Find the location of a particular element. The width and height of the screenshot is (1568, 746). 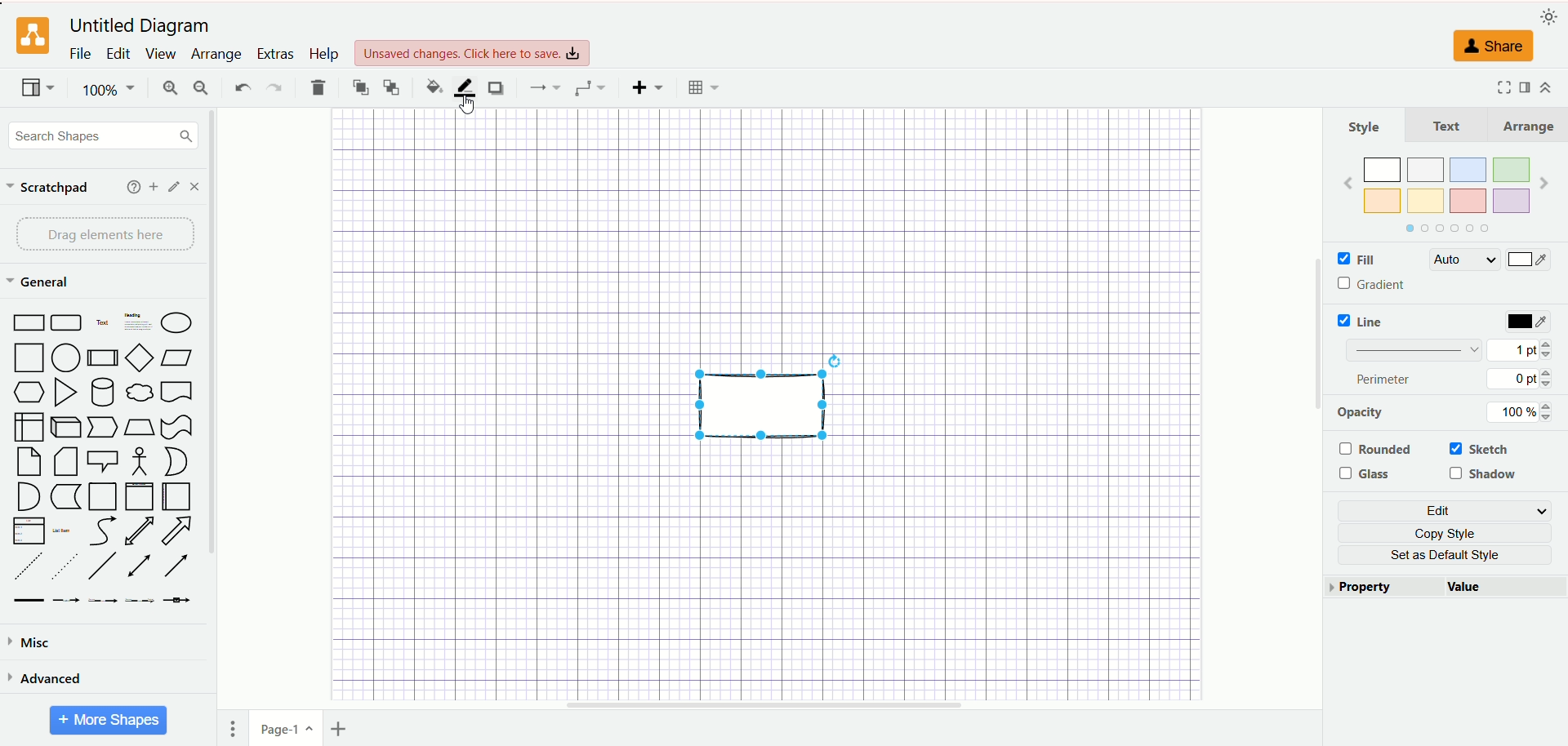

insert page is located at coordinates (346, 728).